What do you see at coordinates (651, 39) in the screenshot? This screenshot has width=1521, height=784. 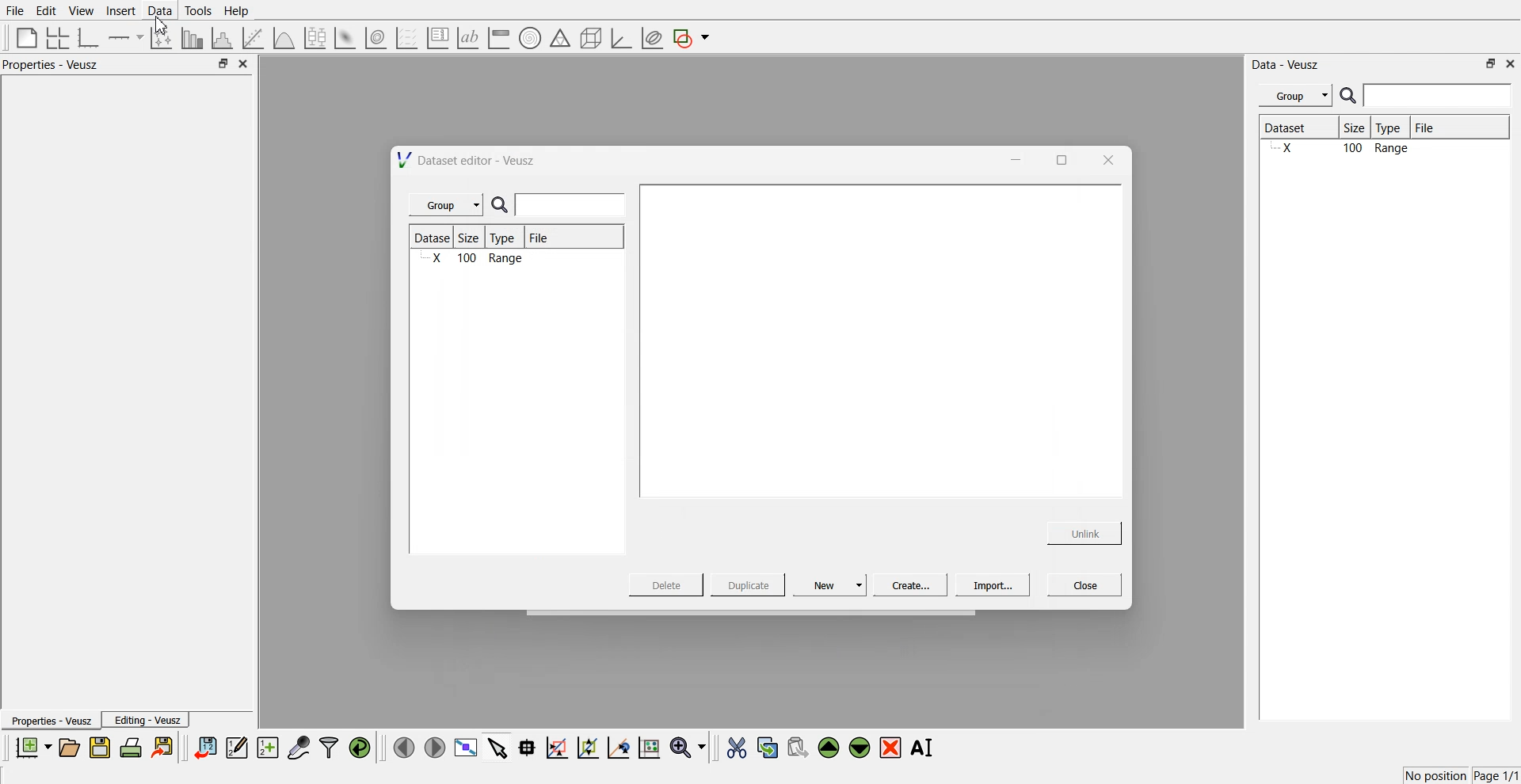 I see `plot covariance ellipses` at bounding box center [651, 39].